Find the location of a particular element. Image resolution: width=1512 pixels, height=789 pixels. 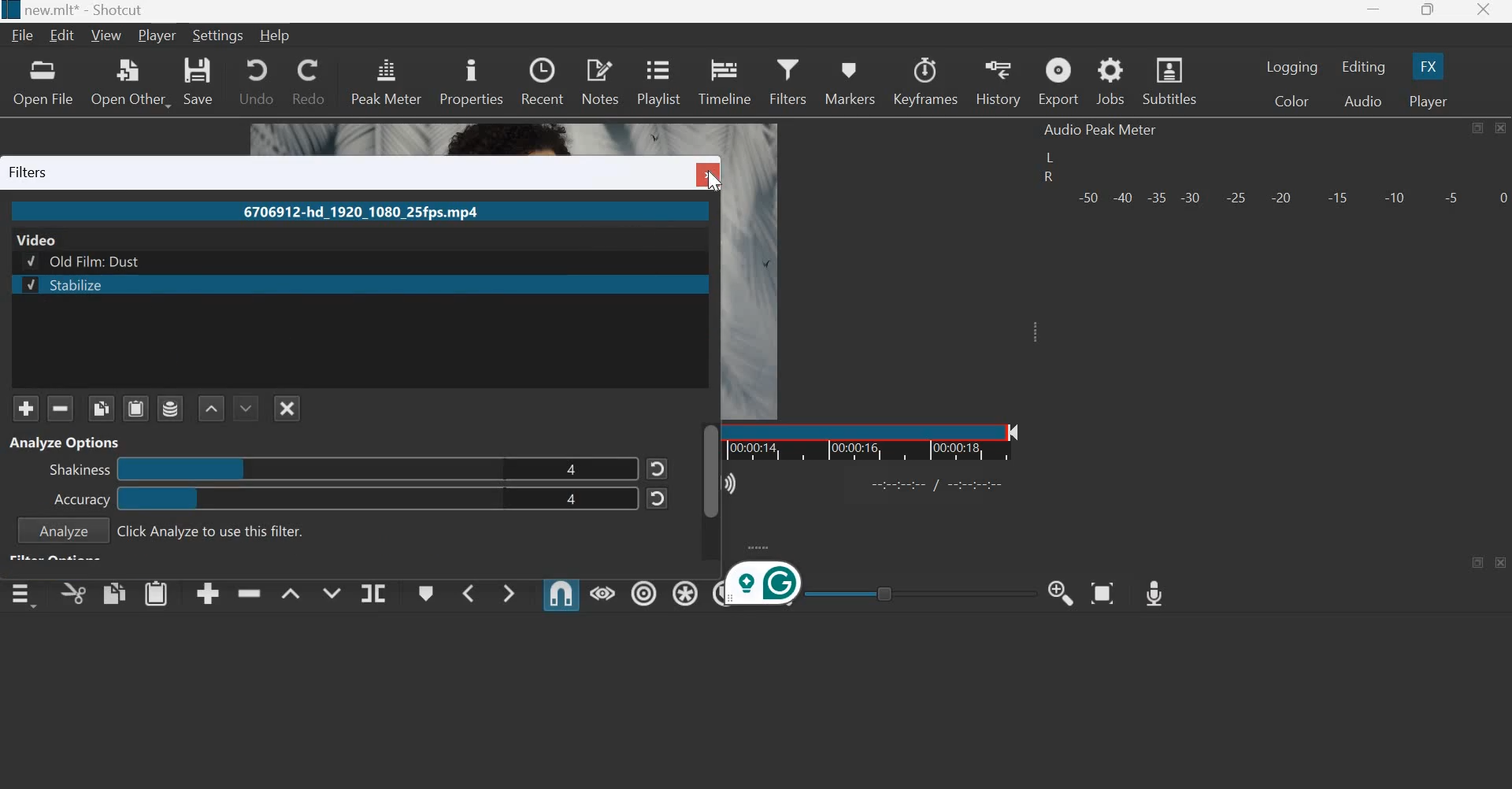

Overwrite is located at coordinates (332, 591).